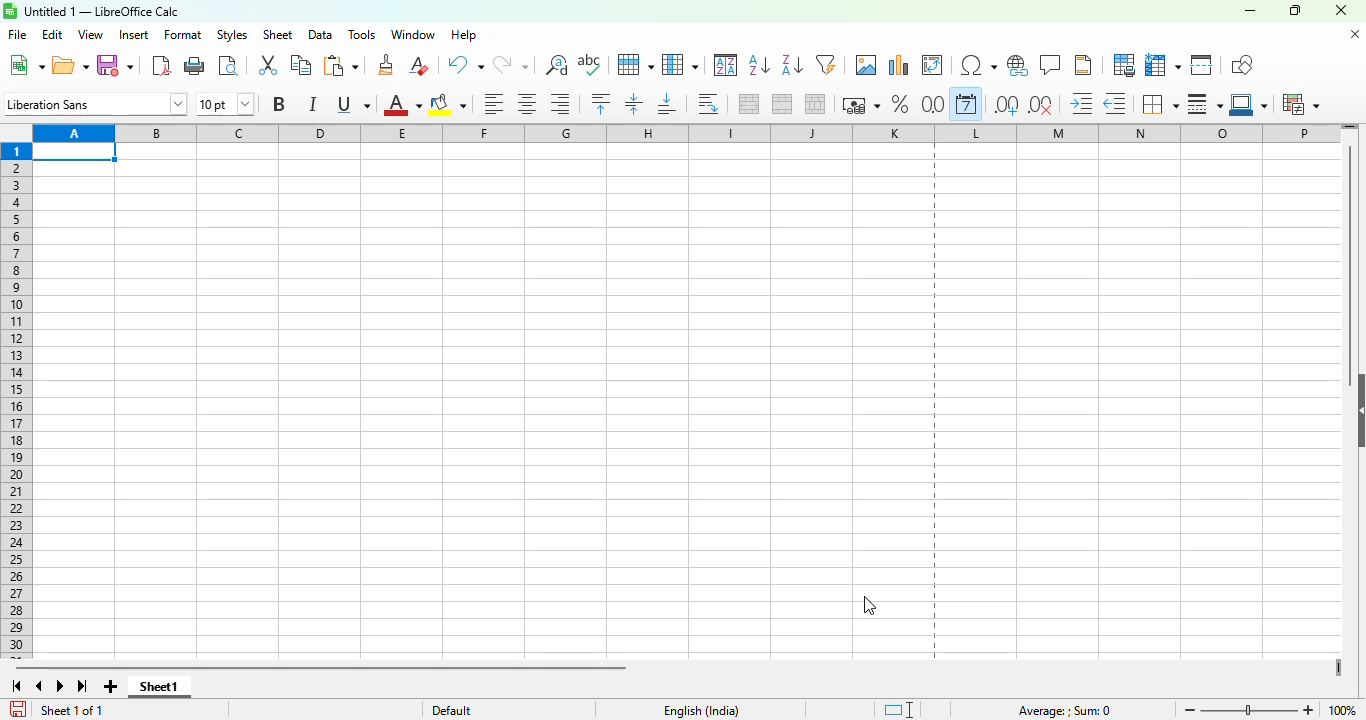  What do you see at coordinates (1204, 104) in the screenshot?
I see `border style` at bounding box center [1204, 104].